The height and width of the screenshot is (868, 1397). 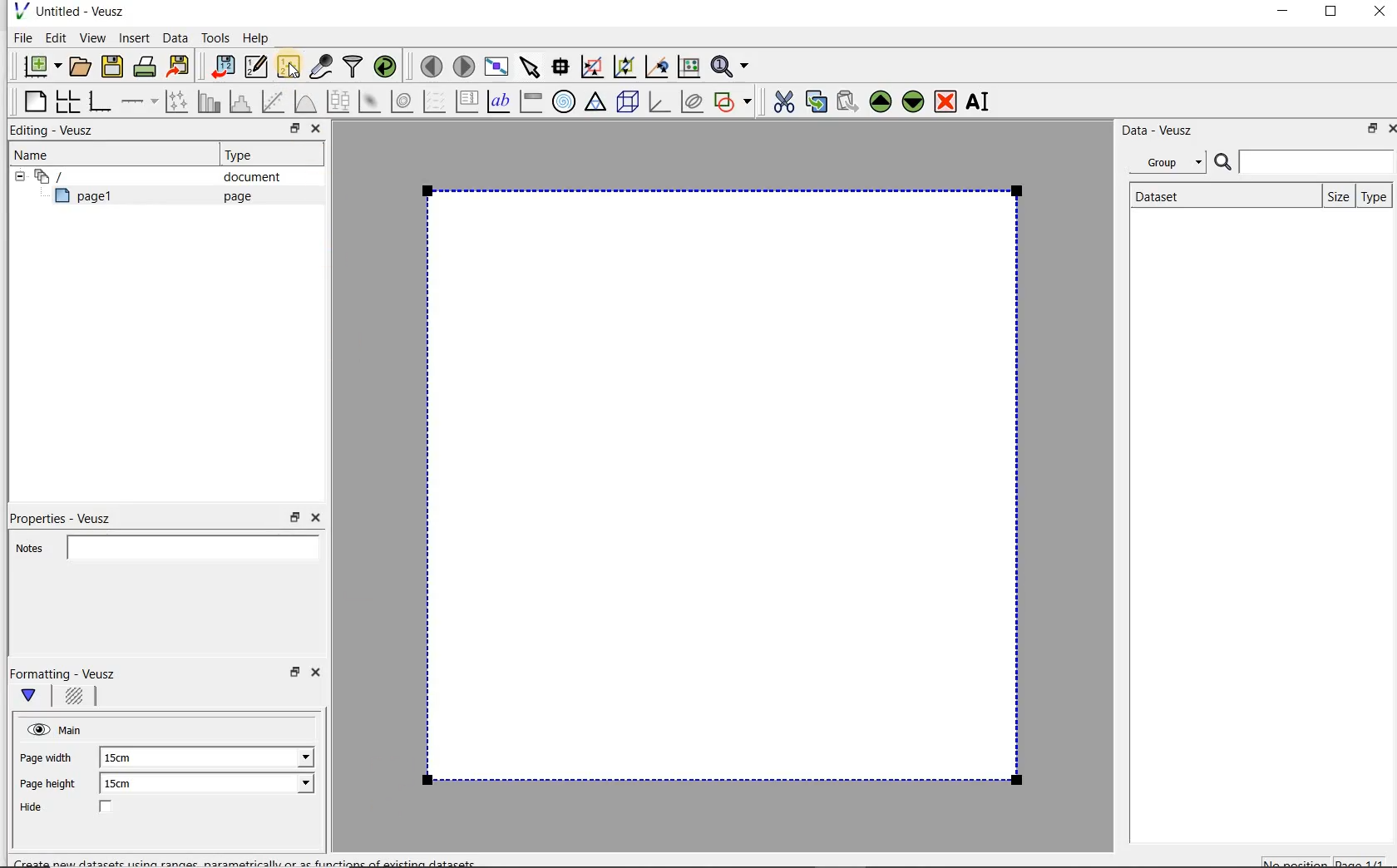 I want to click on Zoom functions menu, so click(x=731, y=62).